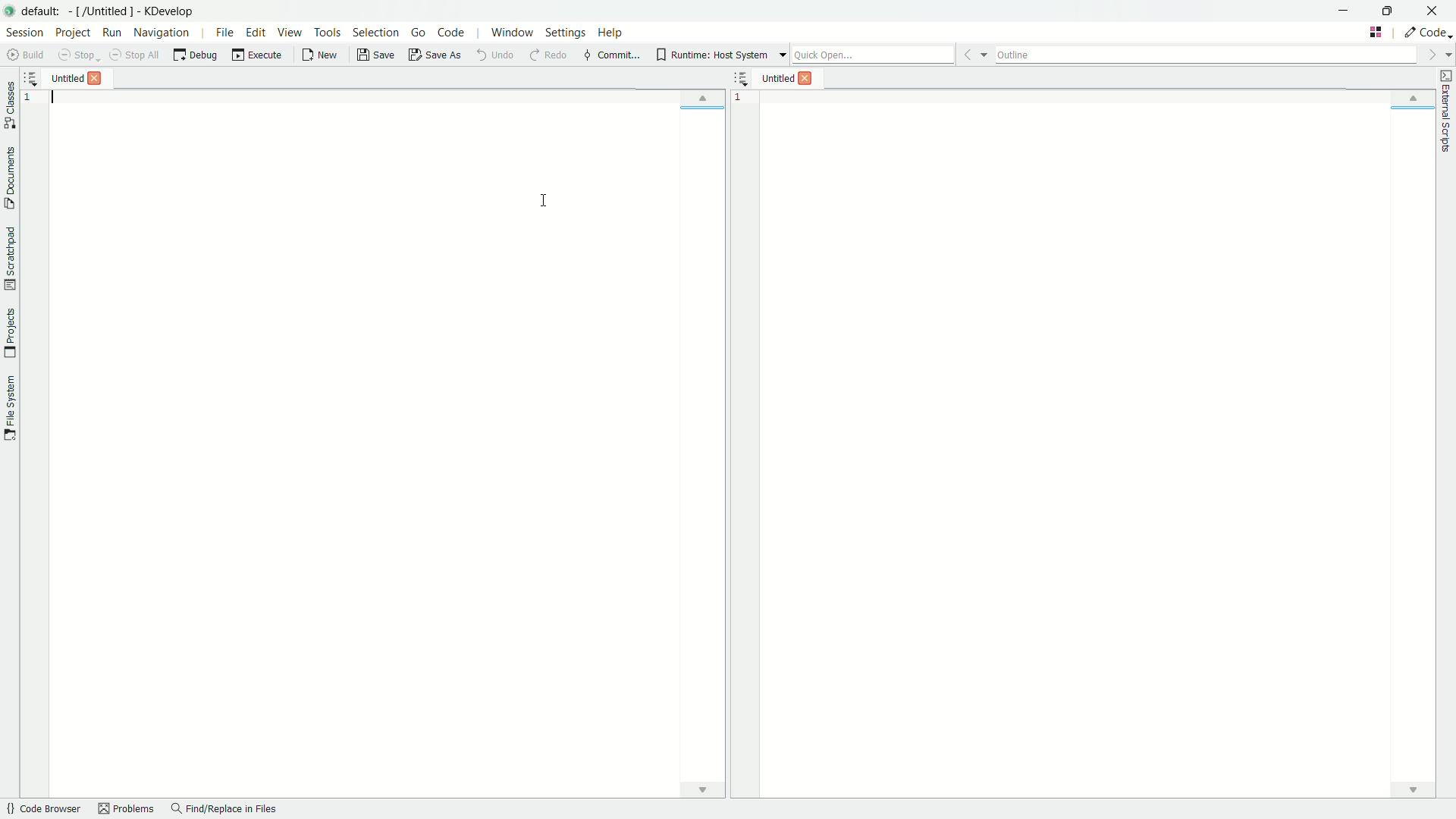 The image size is (1456, 819). What do you see at coordinates (375, 54) in the screenshot?
I see `save` at bounding box center [375, 54].